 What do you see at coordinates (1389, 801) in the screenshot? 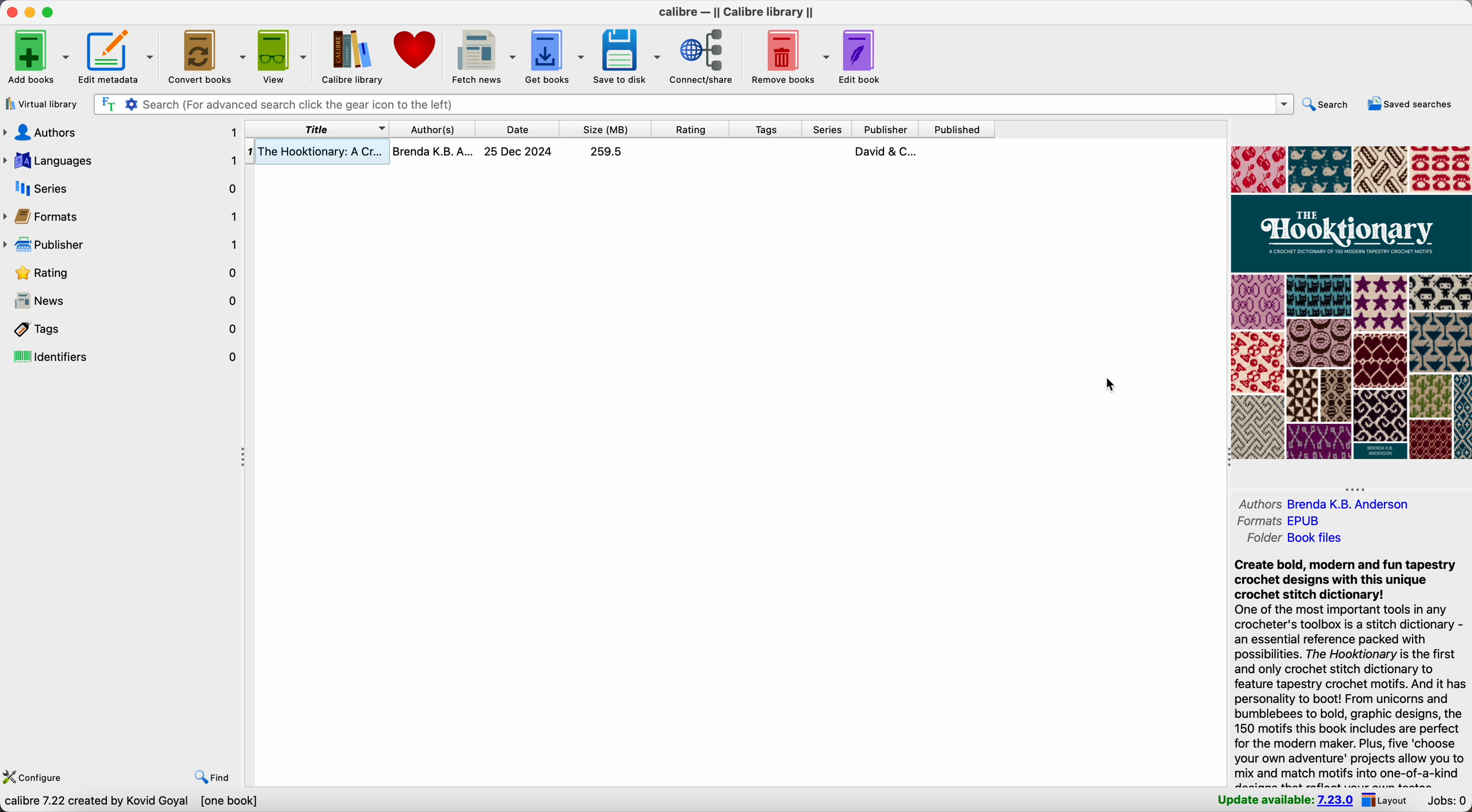
I see `layout` at bounding box center [1389, 801].